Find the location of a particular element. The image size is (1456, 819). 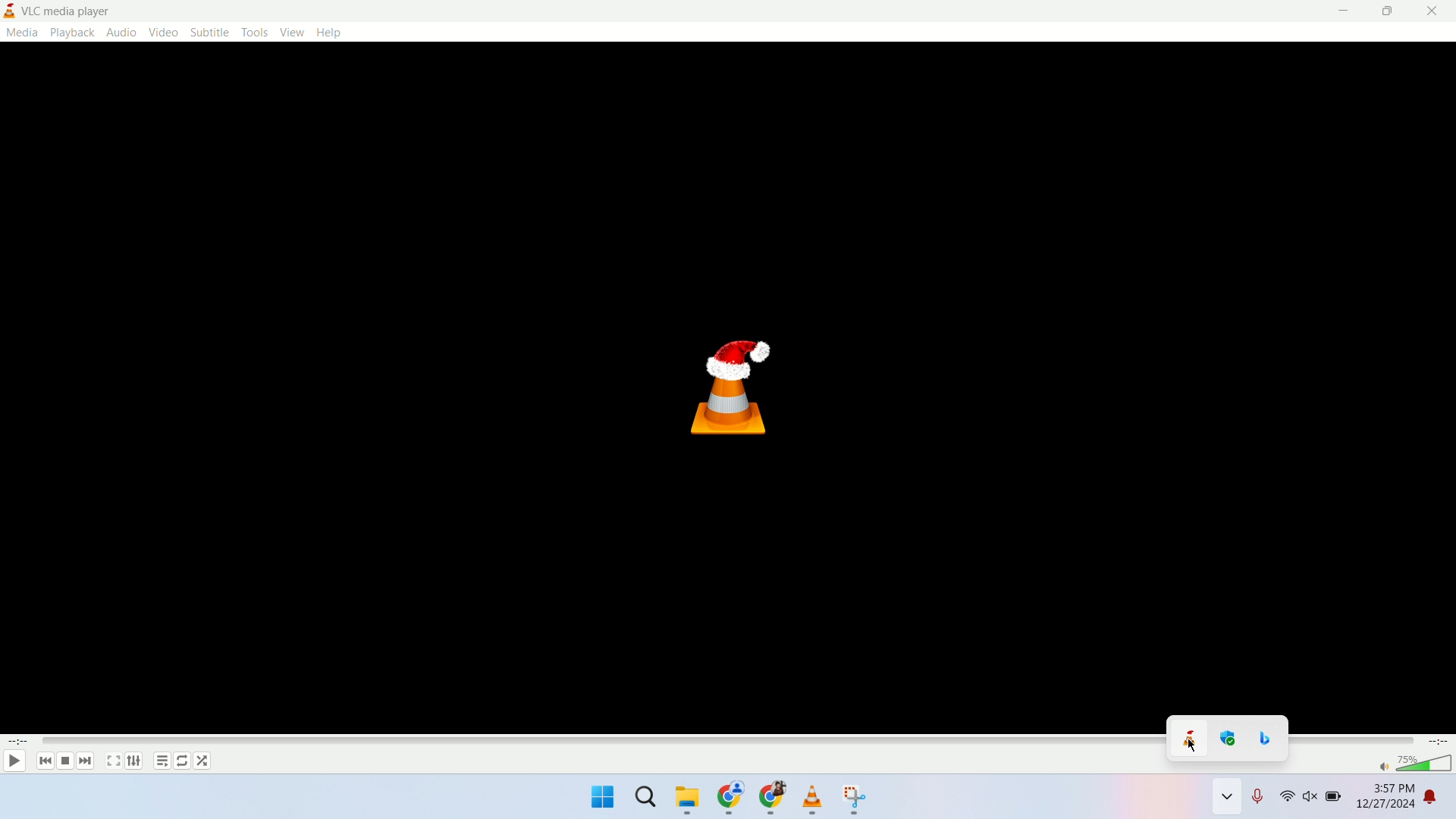

remaining time is located at coordinates (1439, 742).